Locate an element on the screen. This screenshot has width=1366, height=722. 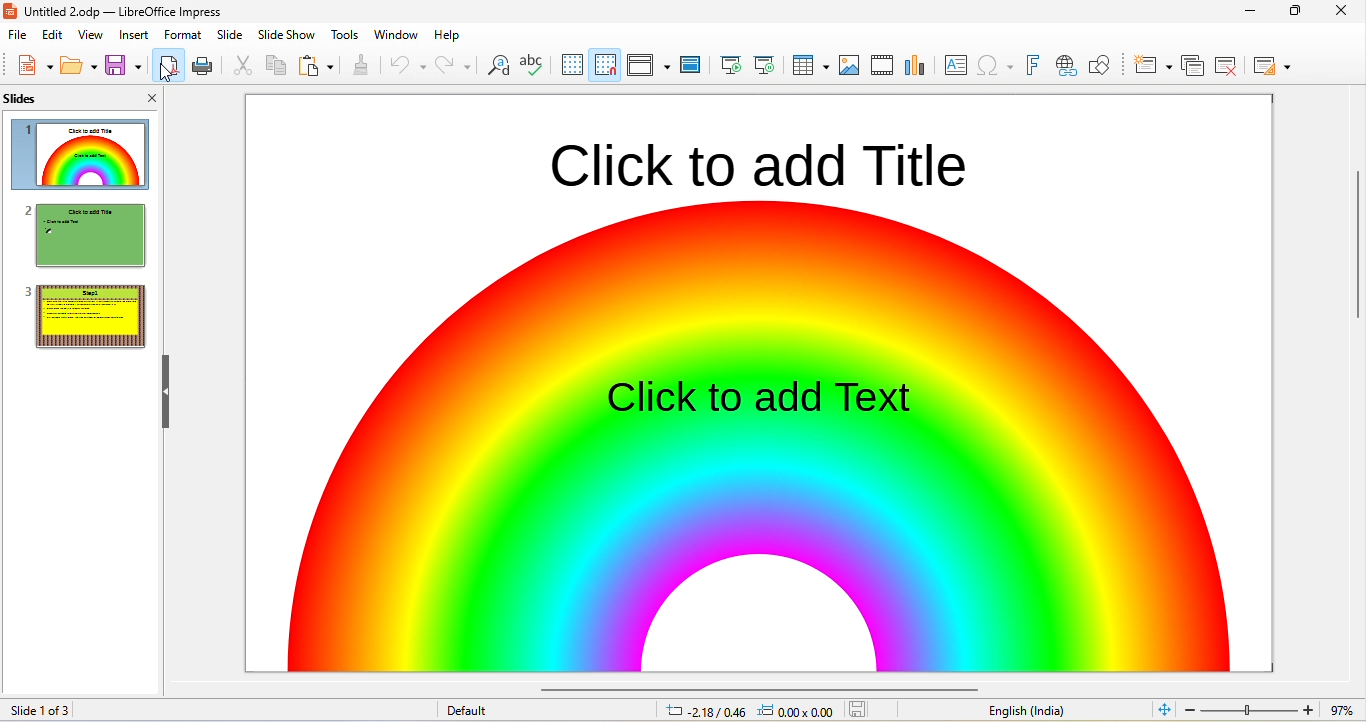
click to add title is located at coordinates (749, 161).